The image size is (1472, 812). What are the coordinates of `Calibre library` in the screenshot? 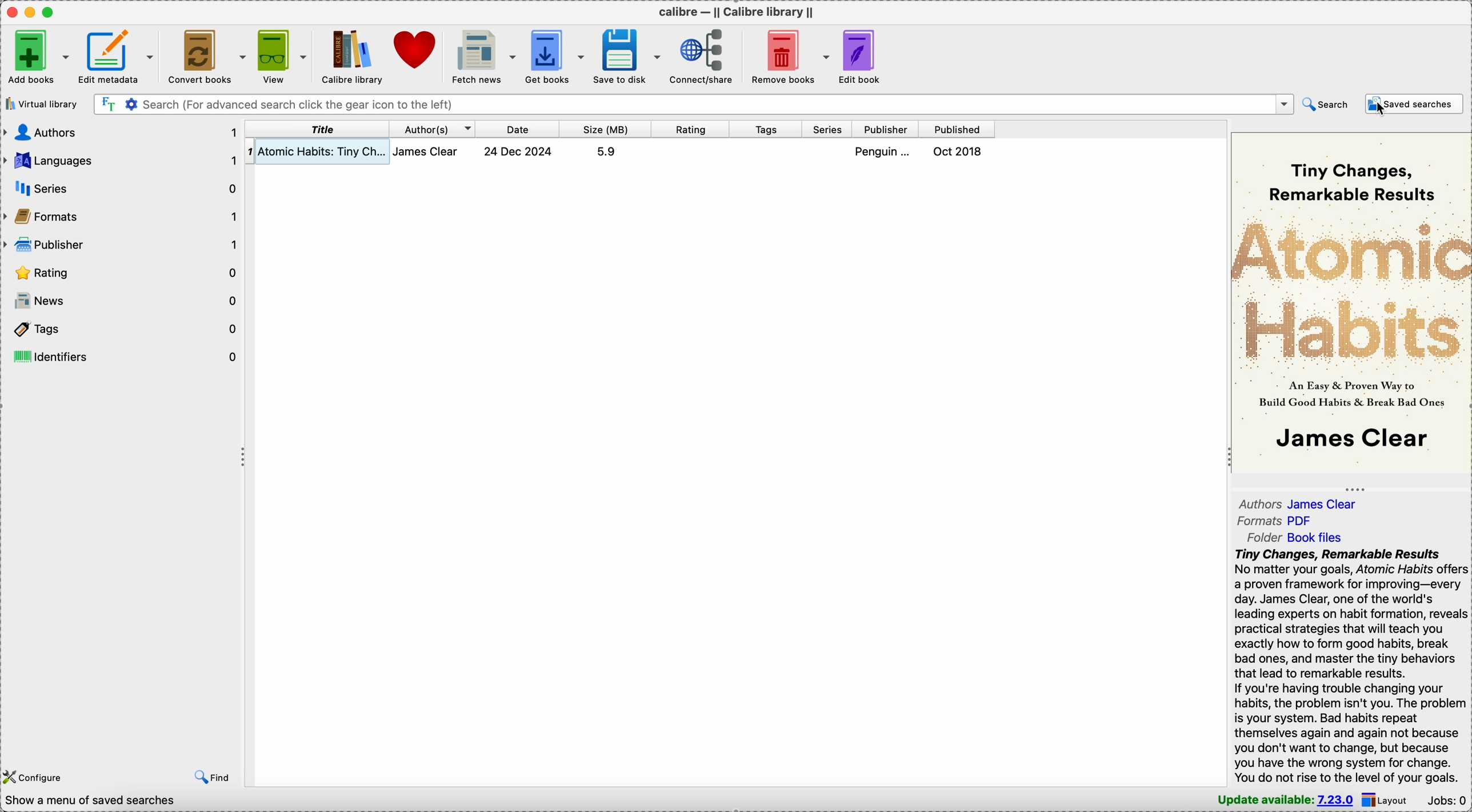 It's located at (351, 56).